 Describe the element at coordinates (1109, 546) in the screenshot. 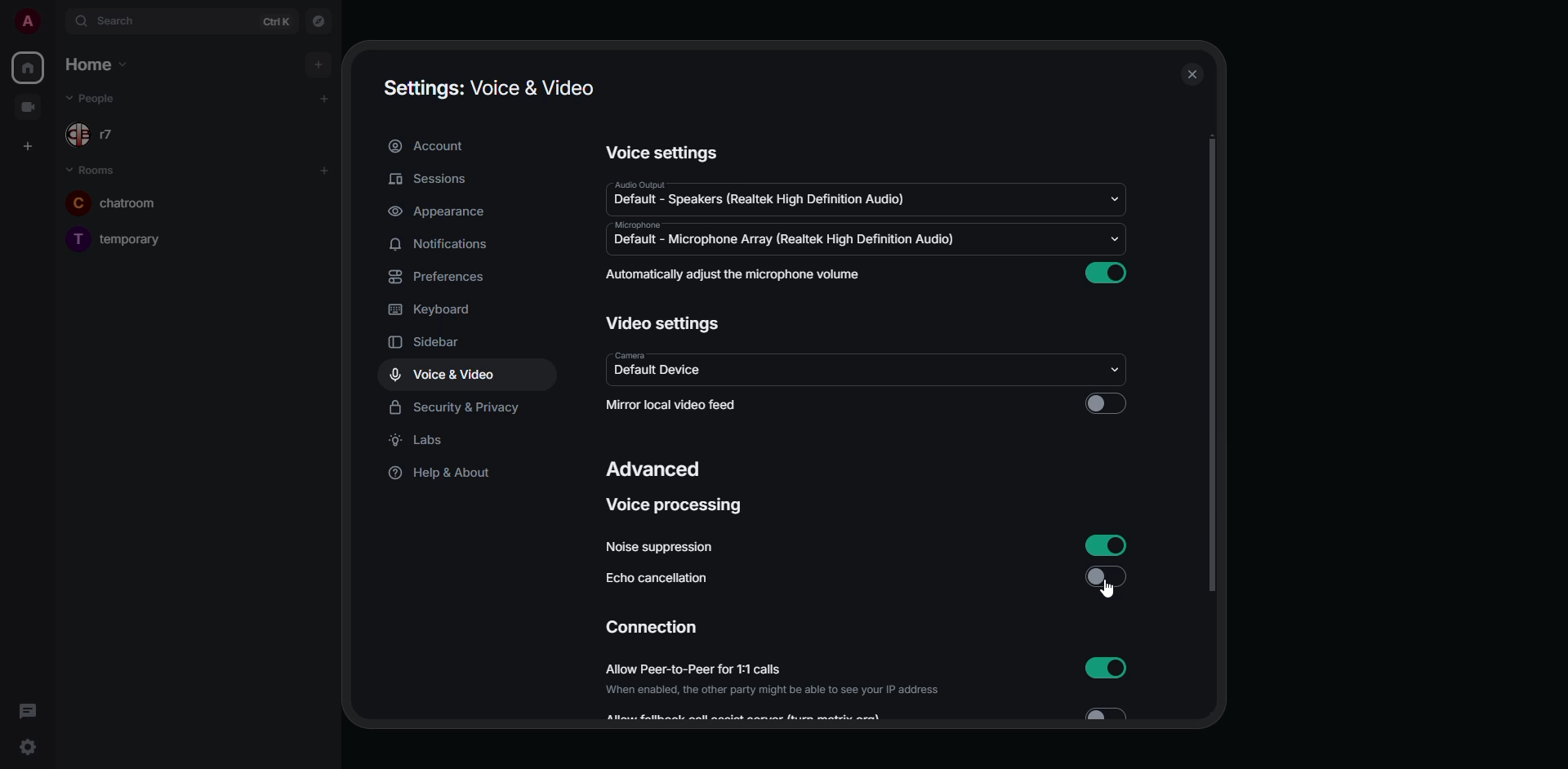

I see `enabled` at that location.